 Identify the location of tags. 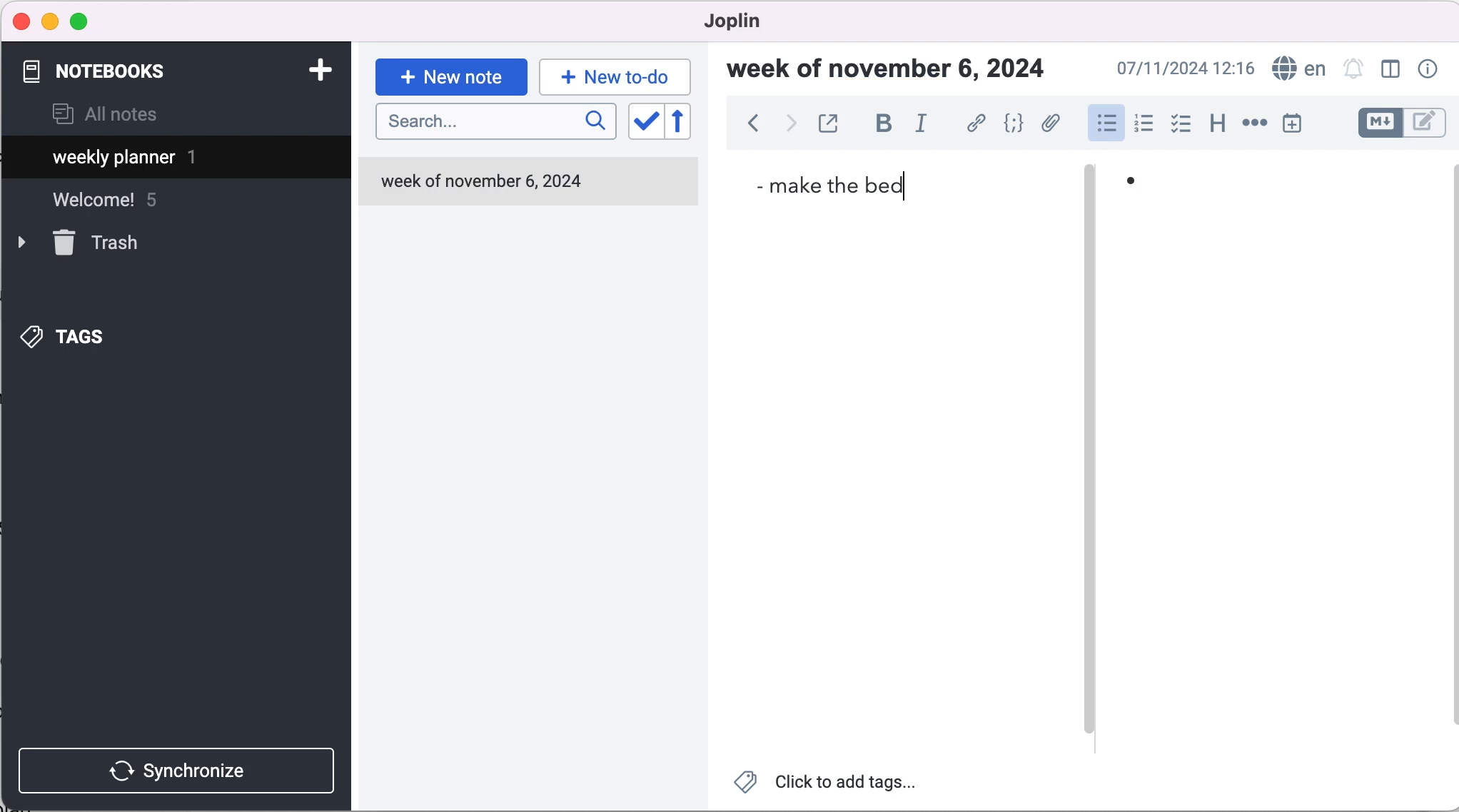
(86, 333).